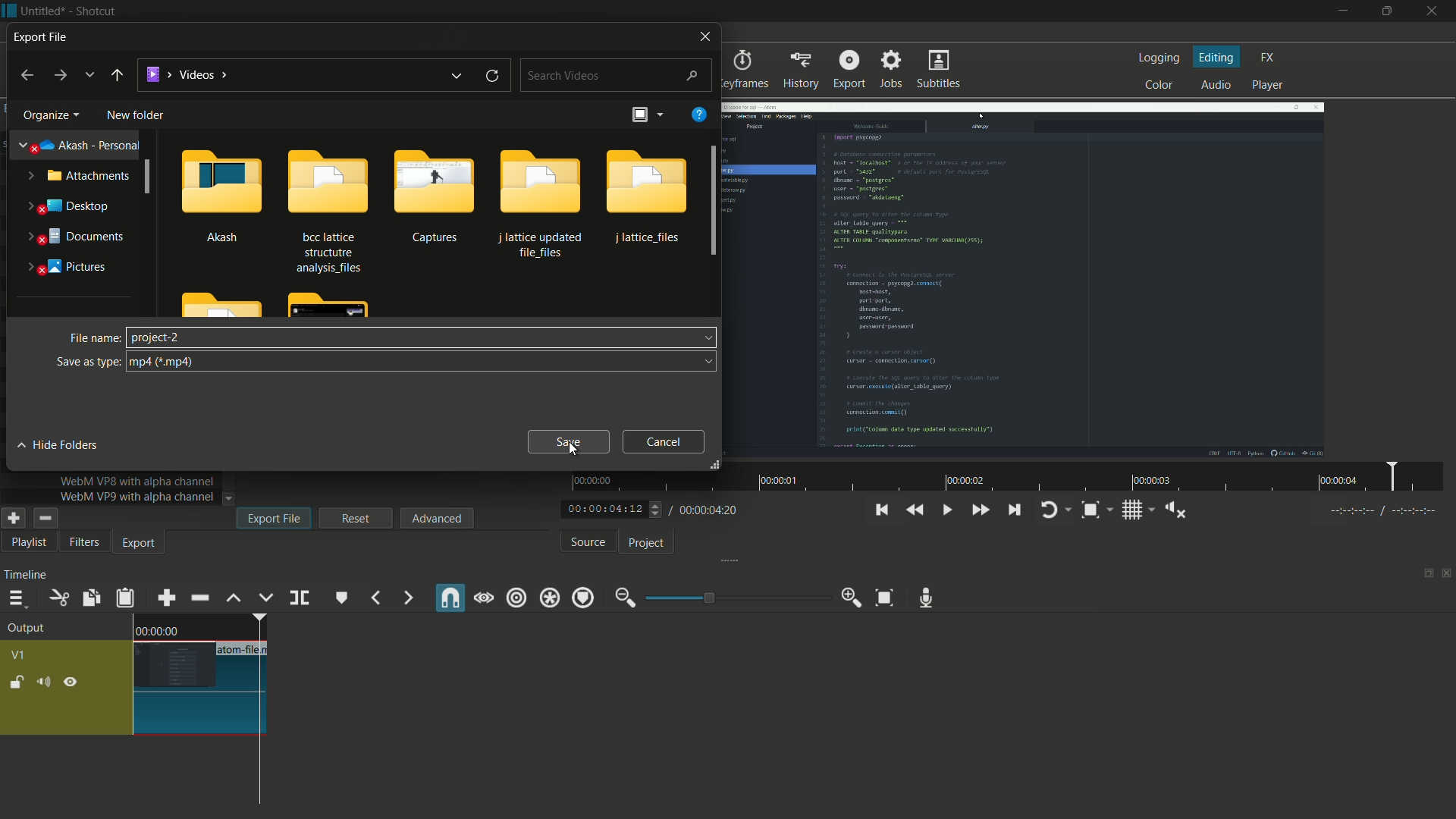 The image size is (1456, 819). I want to click on current time, so click(602, 509).